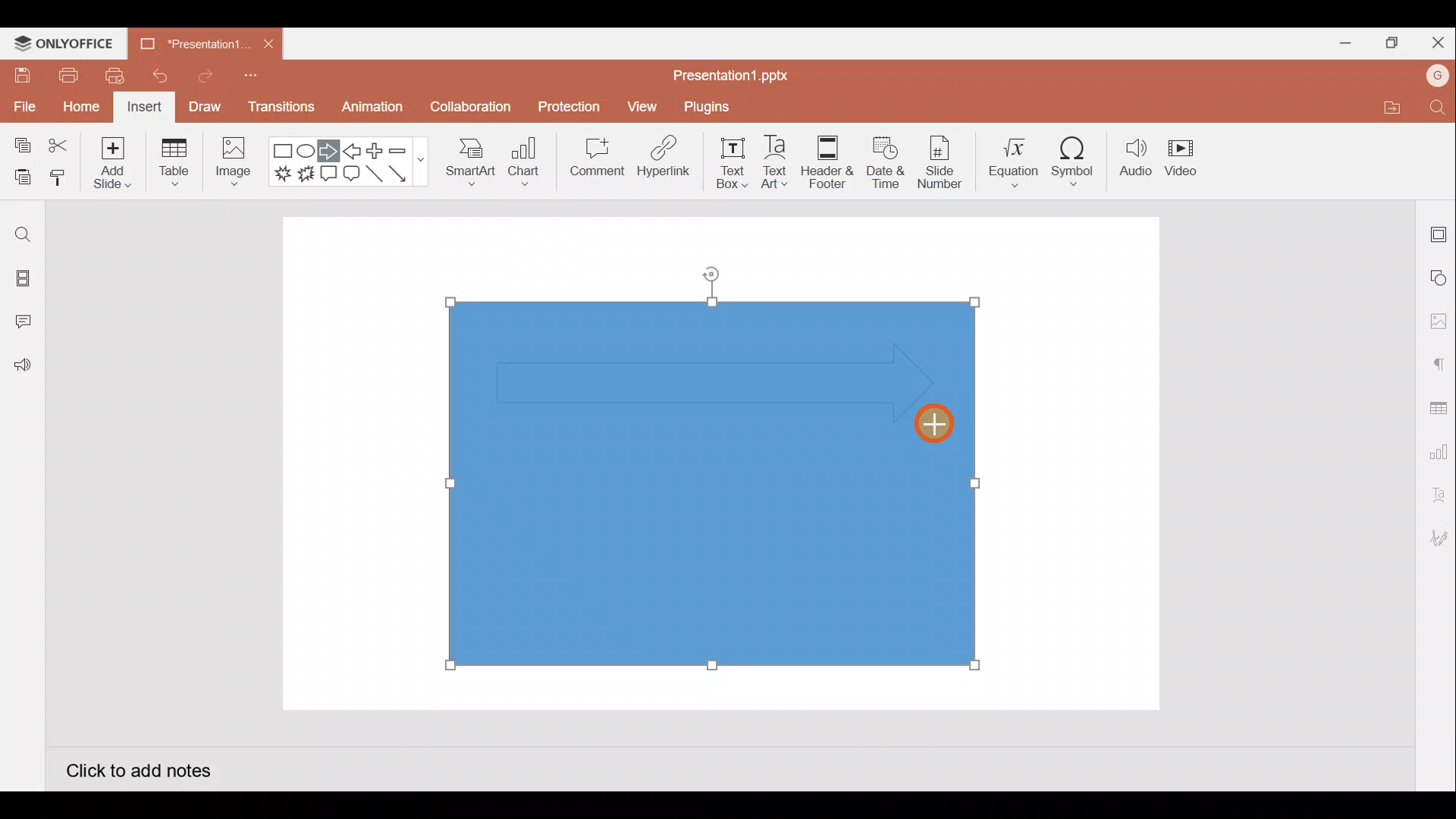 The image size is (1456, 819). I want to click on Inserted arrow shape on rectangle, so click(716, 372).